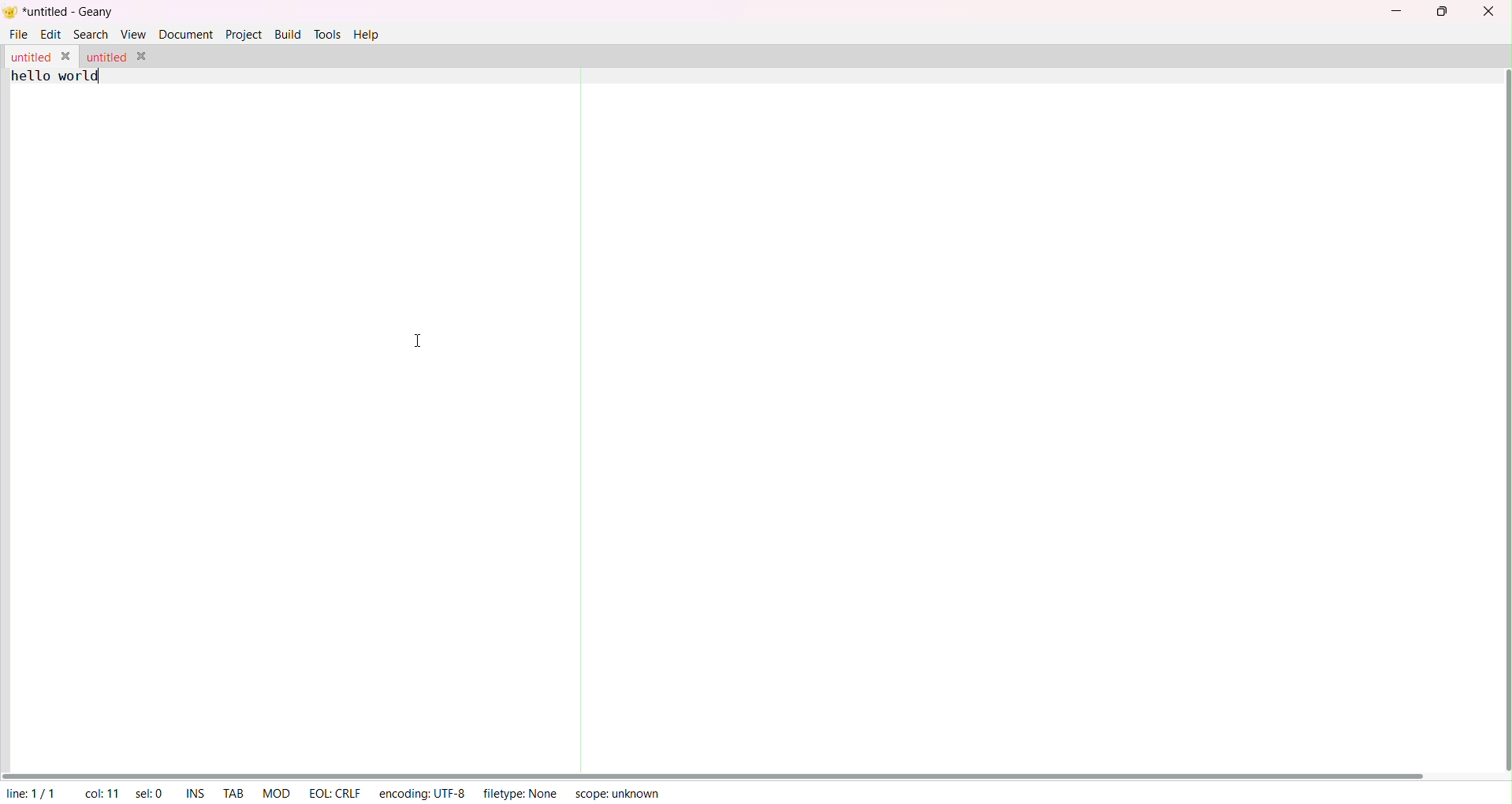 The width and height of the screenshot is (1512, 804). What do you see at coordinates (369, 37) in the screenshot?
I see `help` at bounding box center [369, 37].